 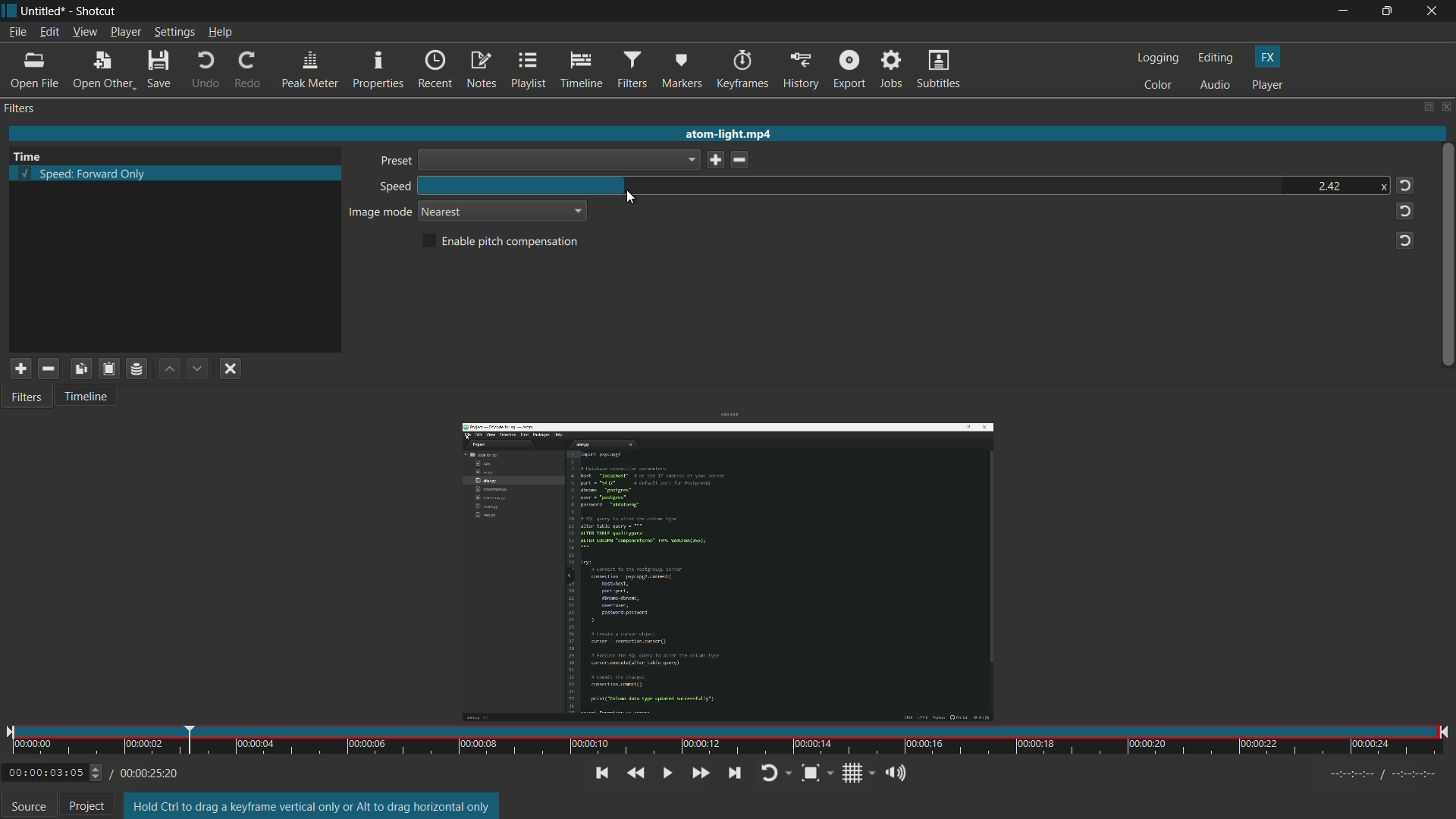 I want to click on settings menu, so click(x=174, y=33).